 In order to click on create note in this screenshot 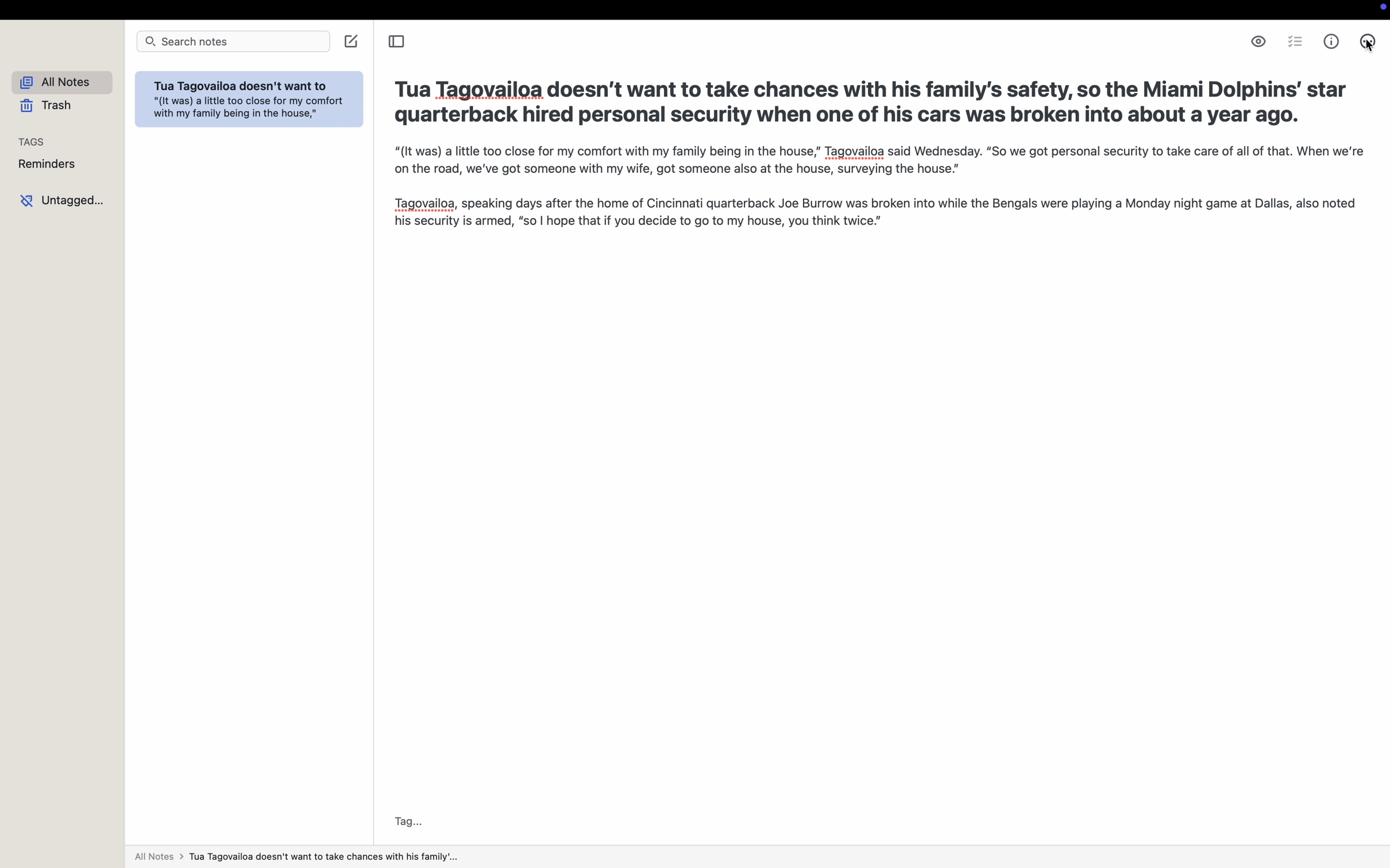, I will do `click(352, 41)`.